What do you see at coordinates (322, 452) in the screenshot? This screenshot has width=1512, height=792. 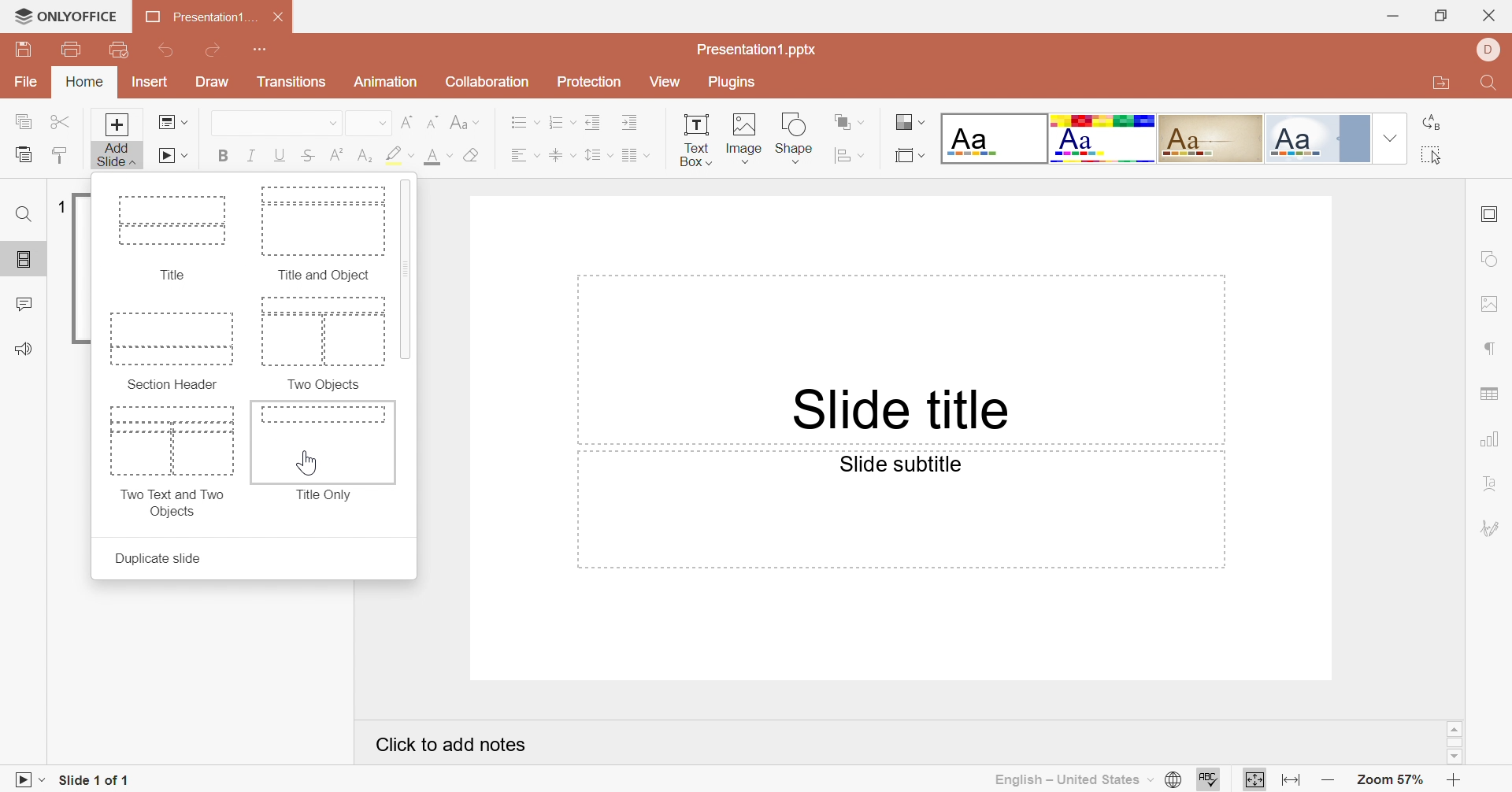 I see `Title Only` at bounding box center [322, 452].